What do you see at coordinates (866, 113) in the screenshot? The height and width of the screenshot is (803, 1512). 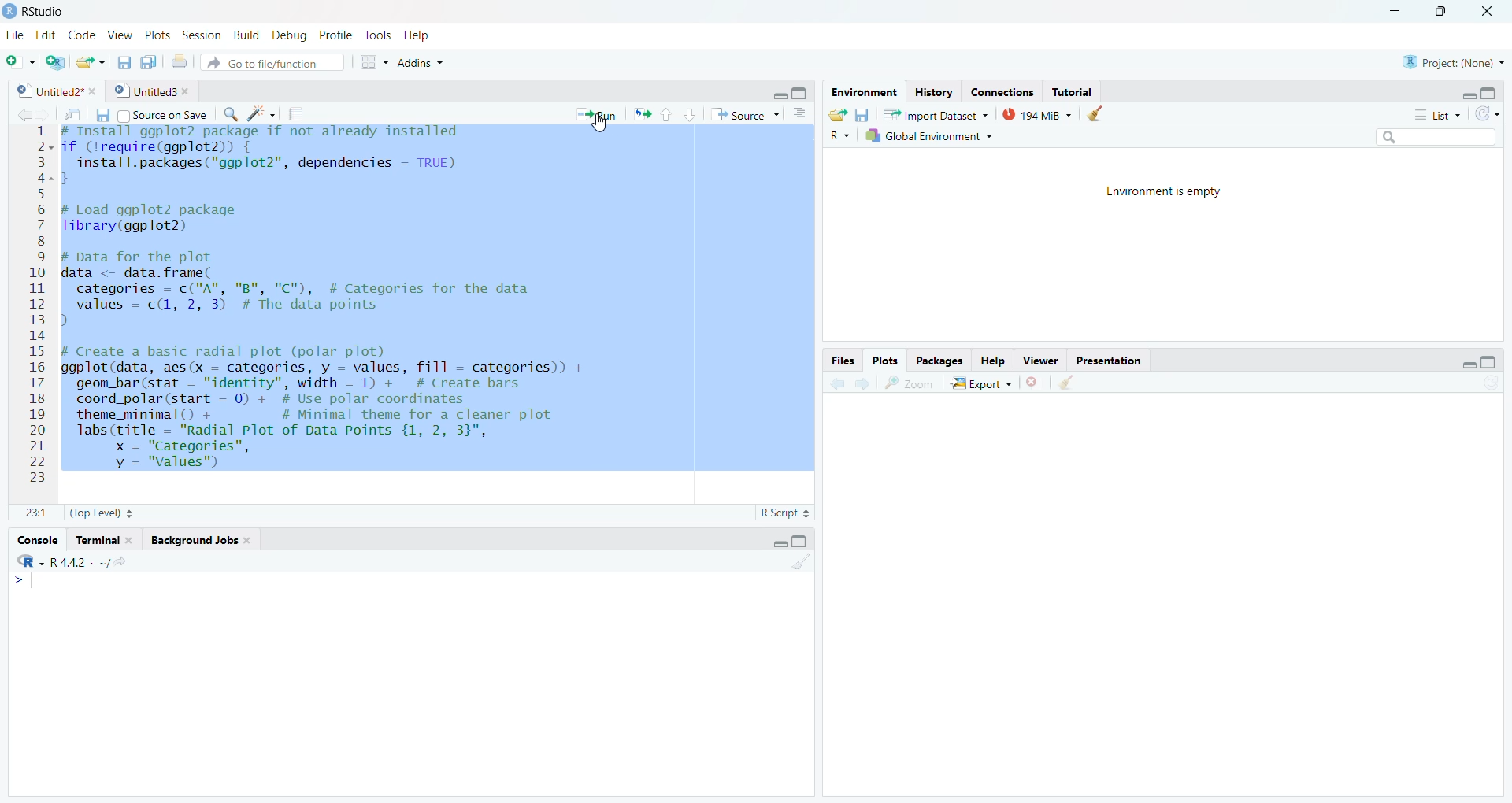 I see `Save workspace` at bounding box center [866, 113].